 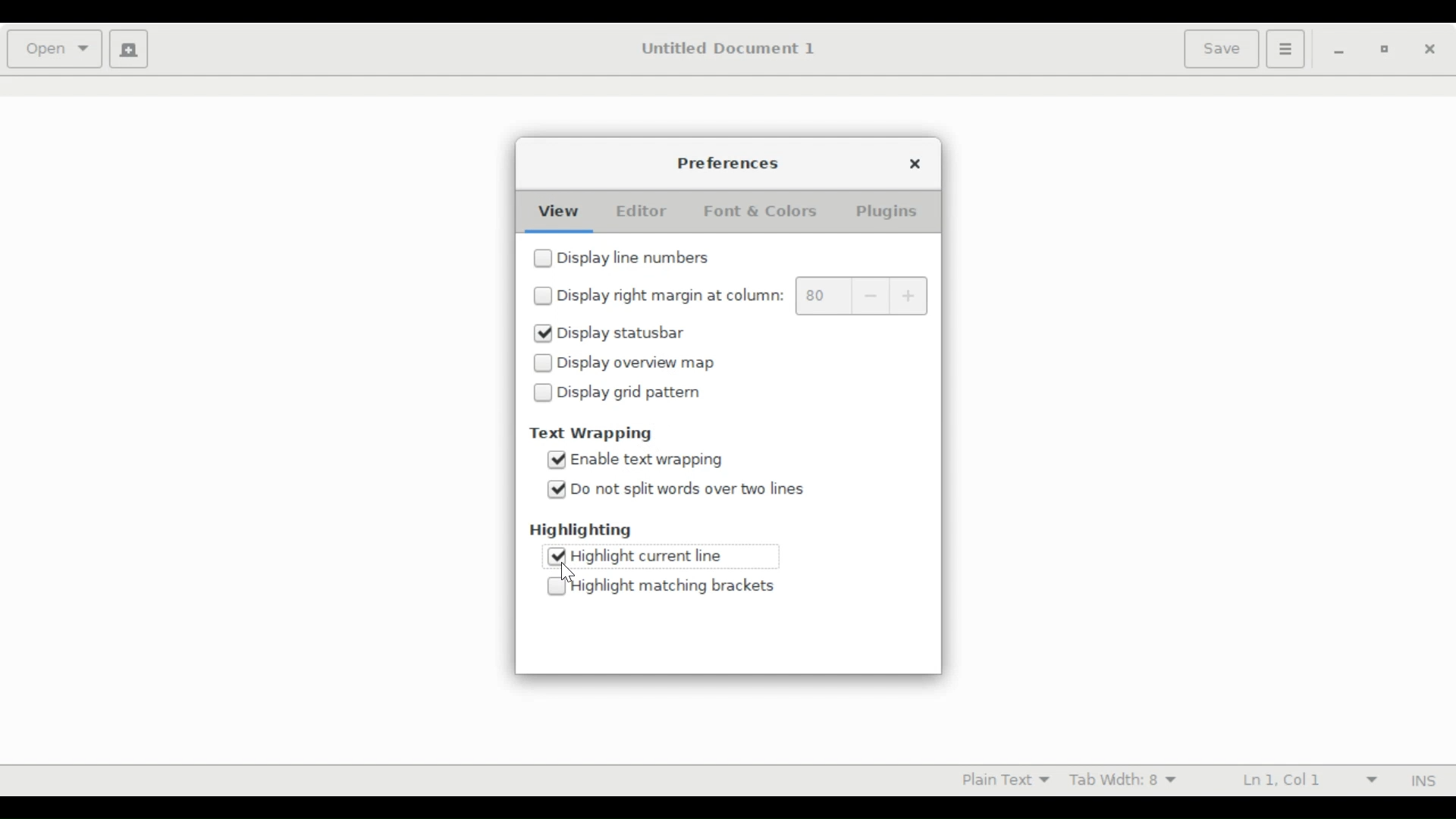 What do you see at coordinates (728, 49) in the screenshot?
I see `Untitled Document 1` at bounding box center [728, 49].